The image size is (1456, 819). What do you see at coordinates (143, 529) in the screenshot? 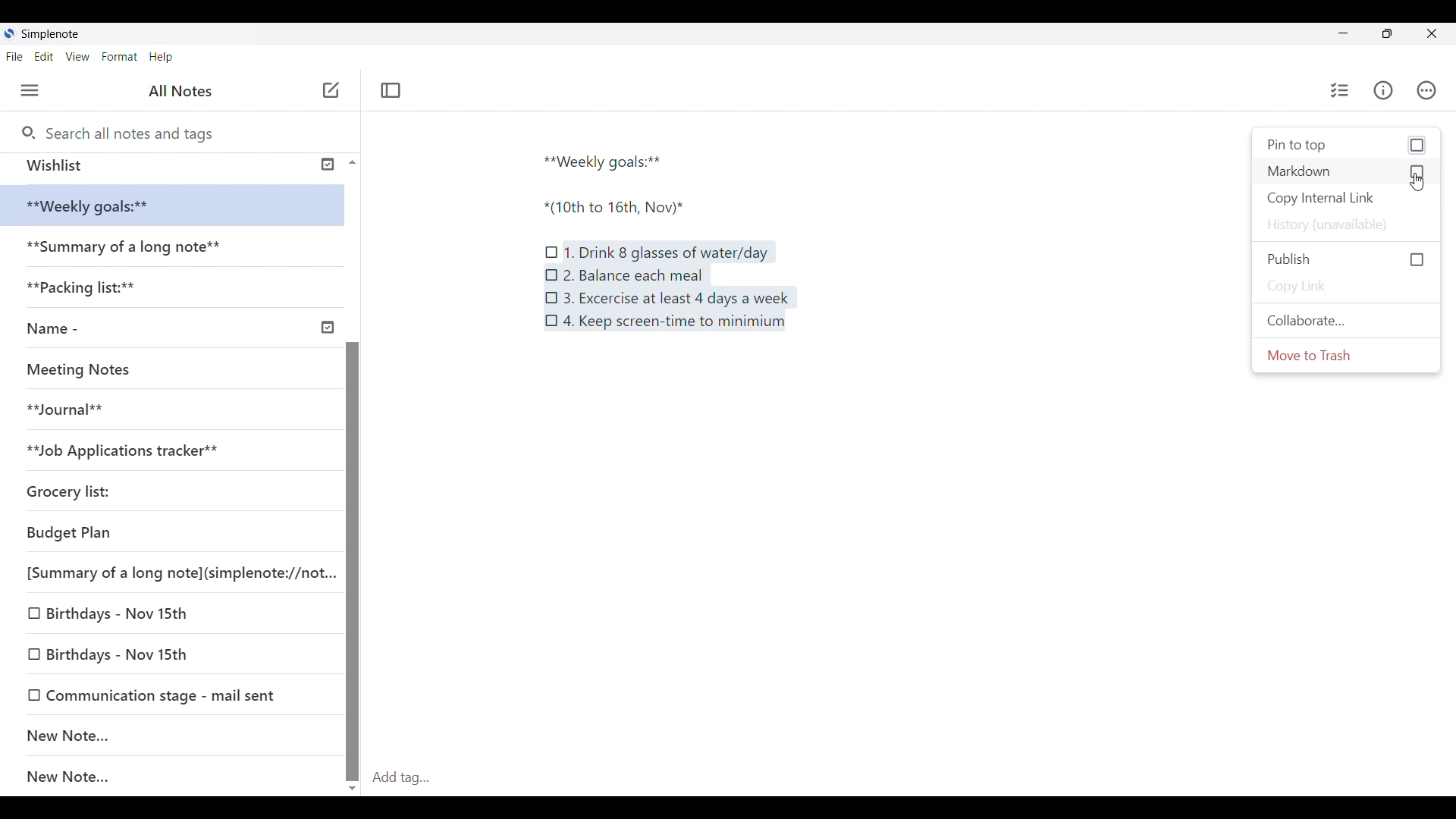
I see `Budget Plan` at bounding box center [143, 529].